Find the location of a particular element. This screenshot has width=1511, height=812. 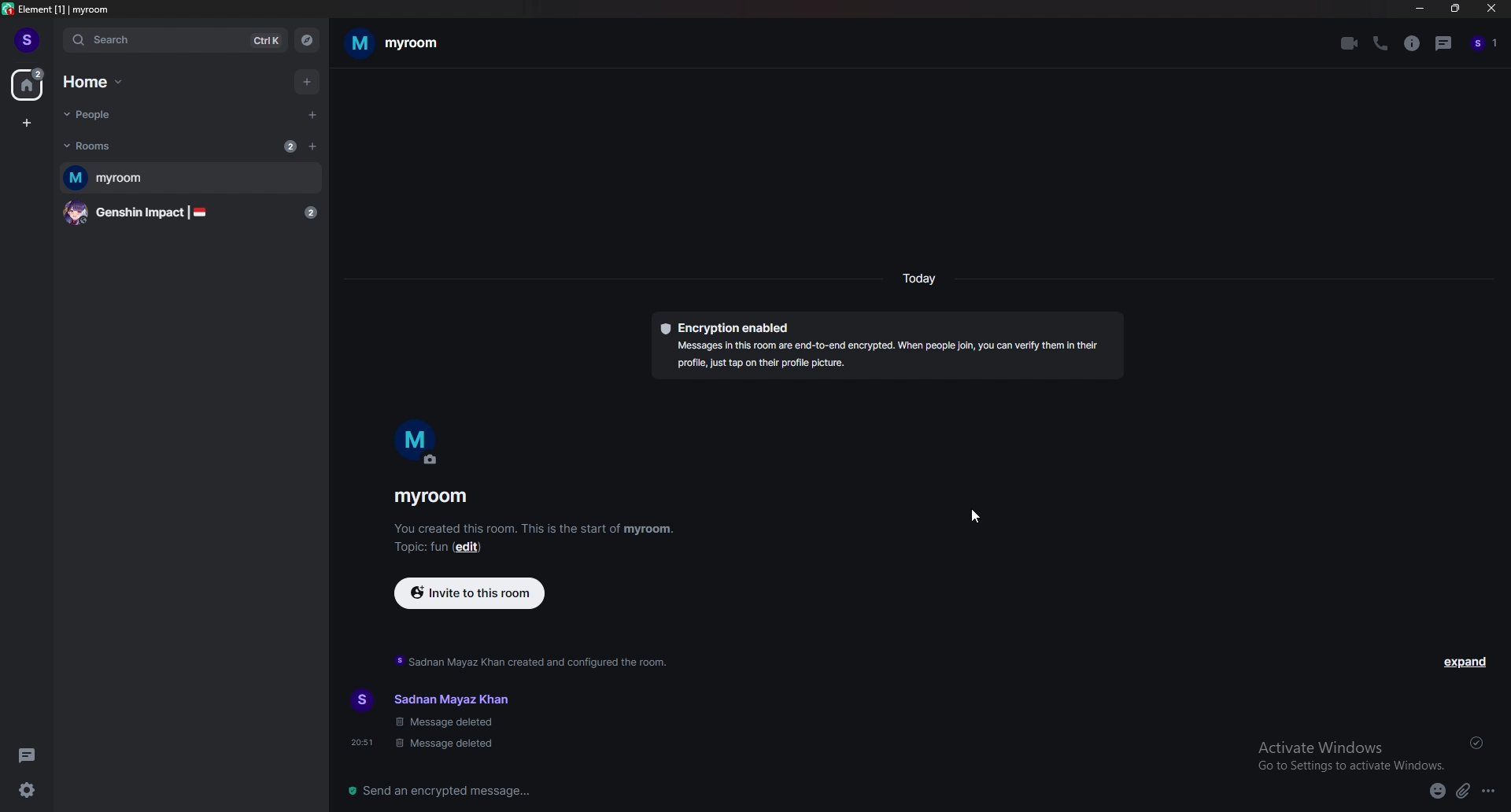

people is located at coordinates (98, 116).